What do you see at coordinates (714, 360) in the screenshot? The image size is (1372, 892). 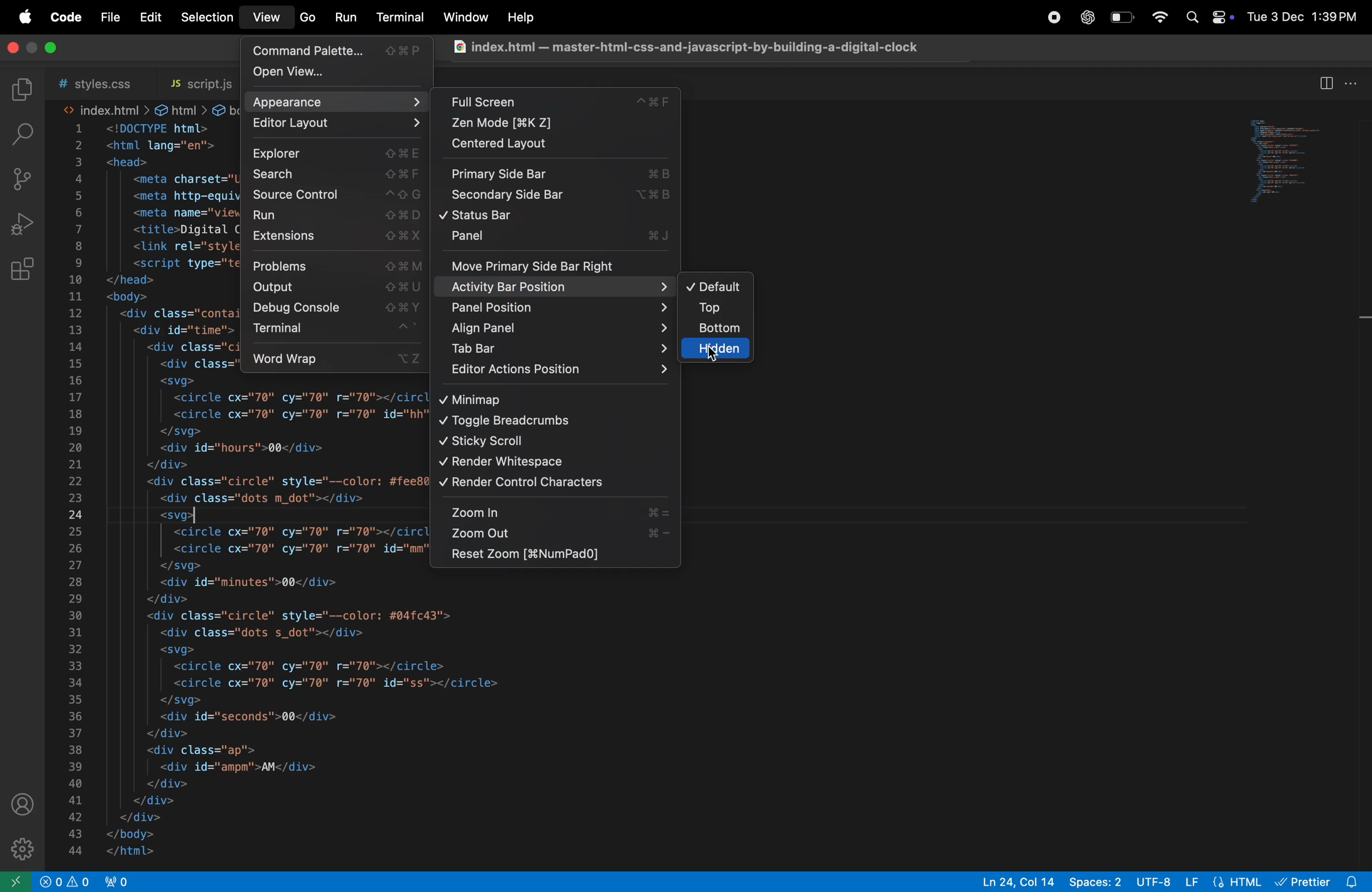 I see `cursor` at bounding box center [714, 360].